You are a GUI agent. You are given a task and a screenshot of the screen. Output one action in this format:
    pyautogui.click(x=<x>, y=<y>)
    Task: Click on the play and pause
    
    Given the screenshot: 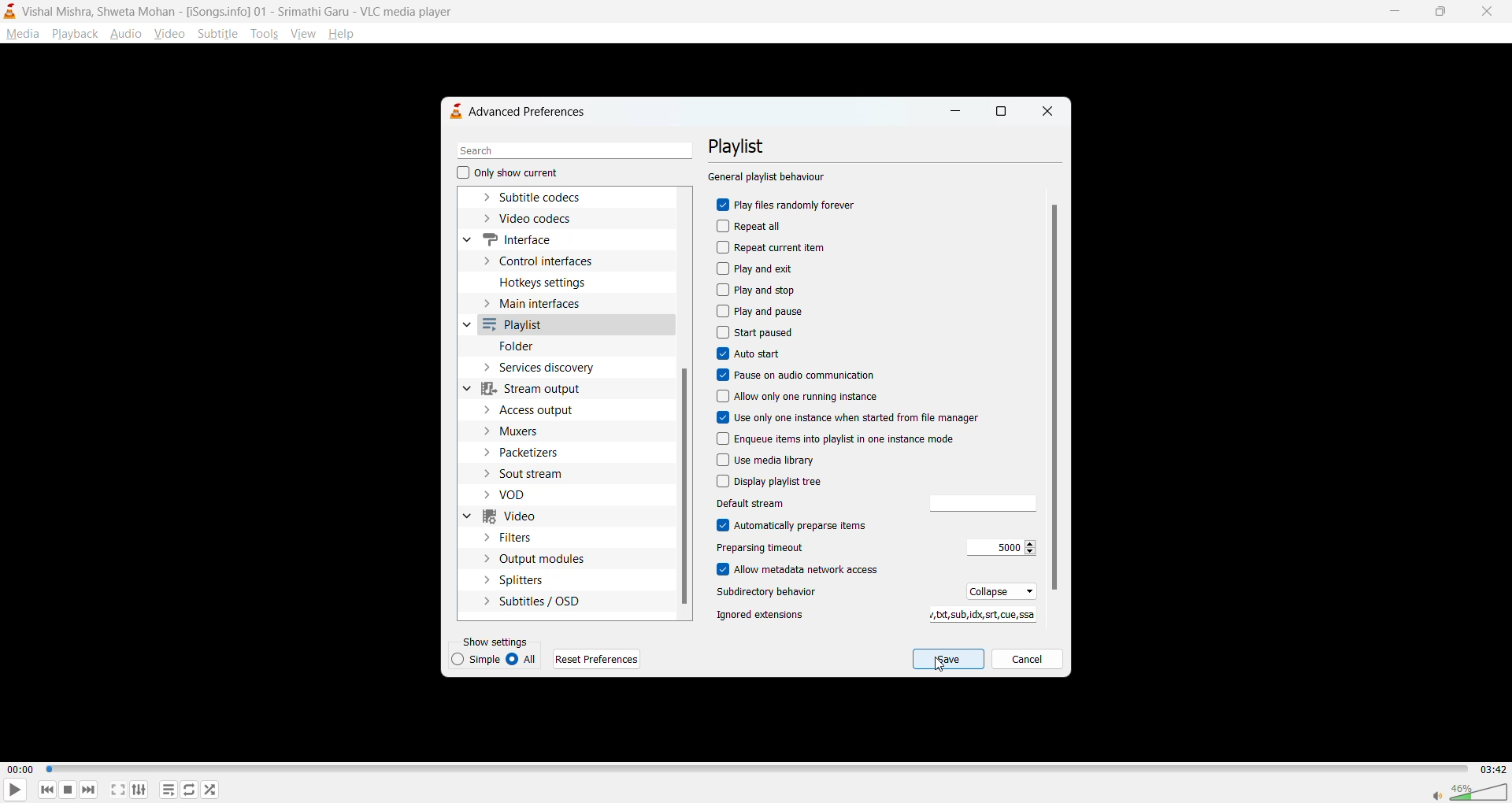 What is the action you would take?
    pyautogui.click(x=762, y=310)
    